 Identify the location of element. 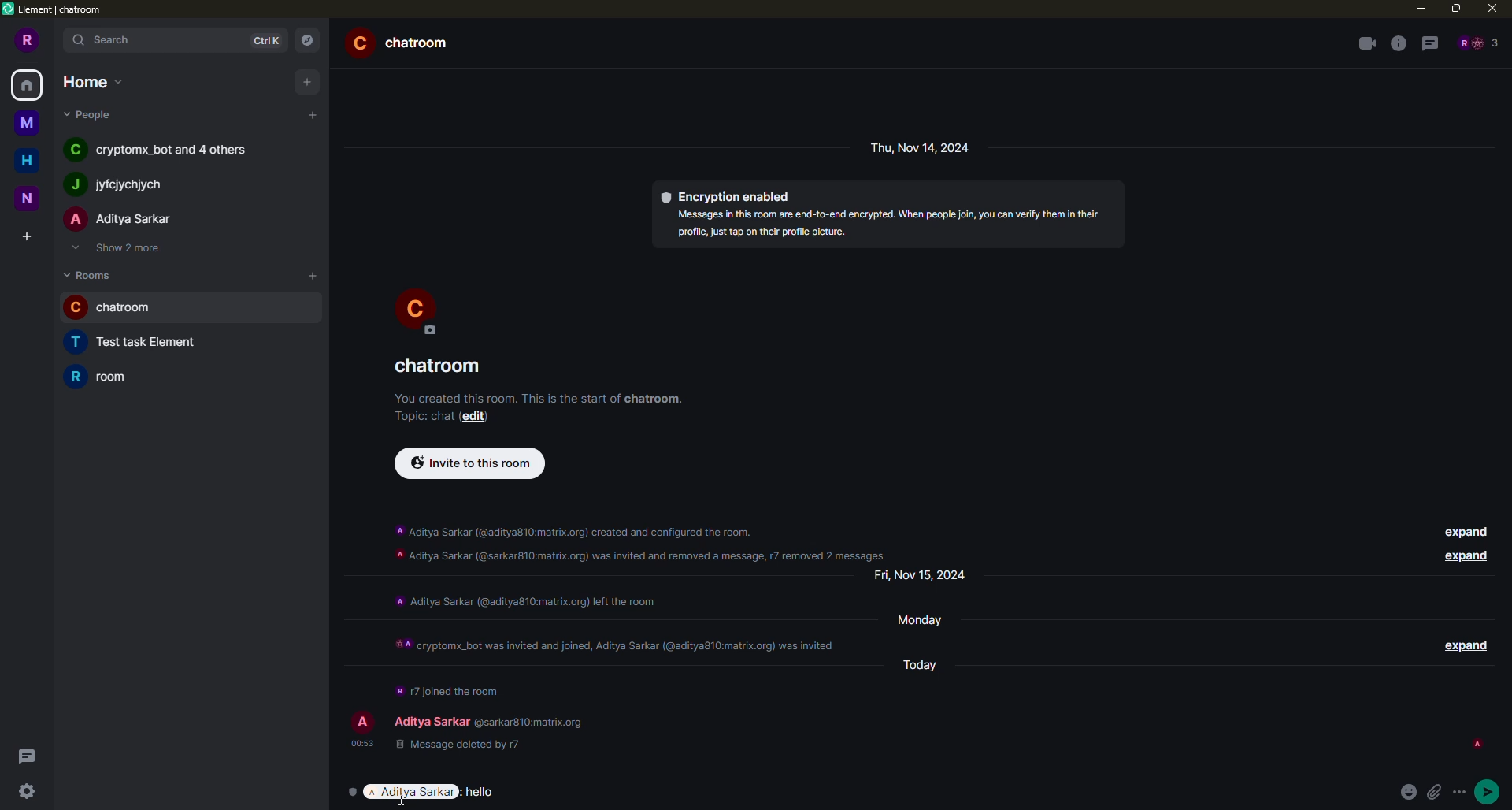
(57, 11).